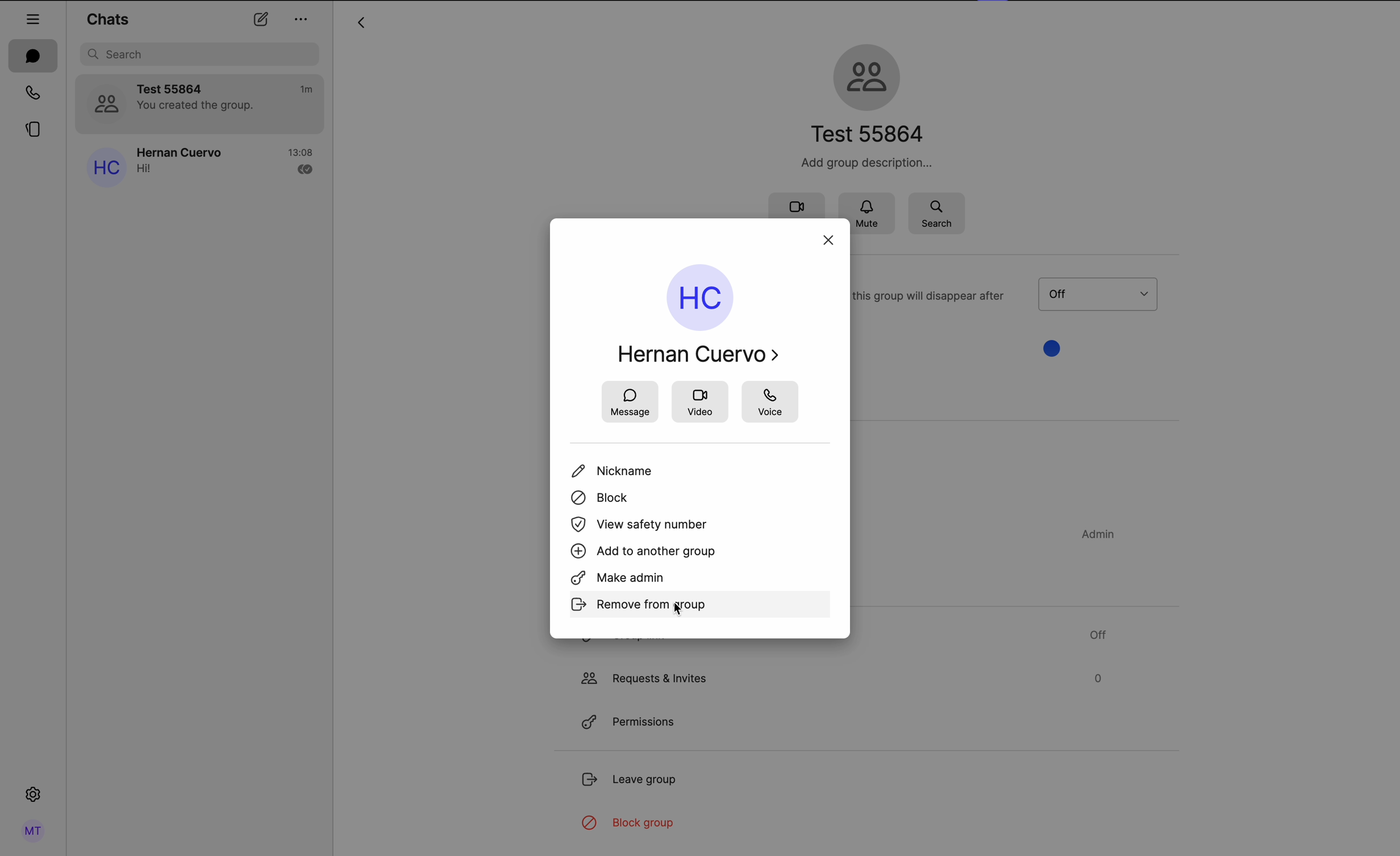 The width and height of the screenshot is (1400, 856). Describe the element at coordinates (840, 678) in the screenshot. I see `request & invites` at that location.